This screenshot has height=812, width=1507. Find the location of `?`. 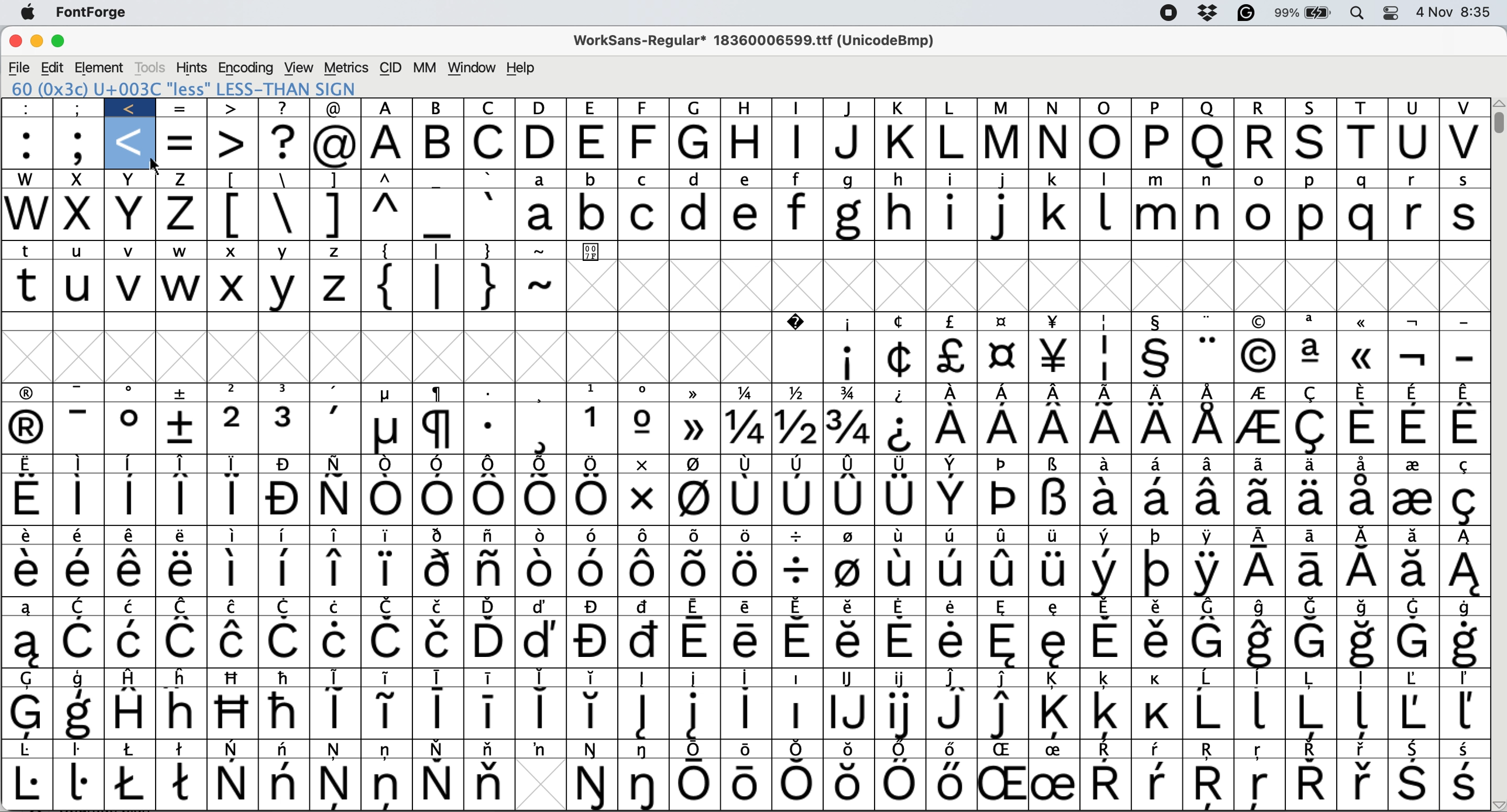

? is located at coordinates (284, 142).